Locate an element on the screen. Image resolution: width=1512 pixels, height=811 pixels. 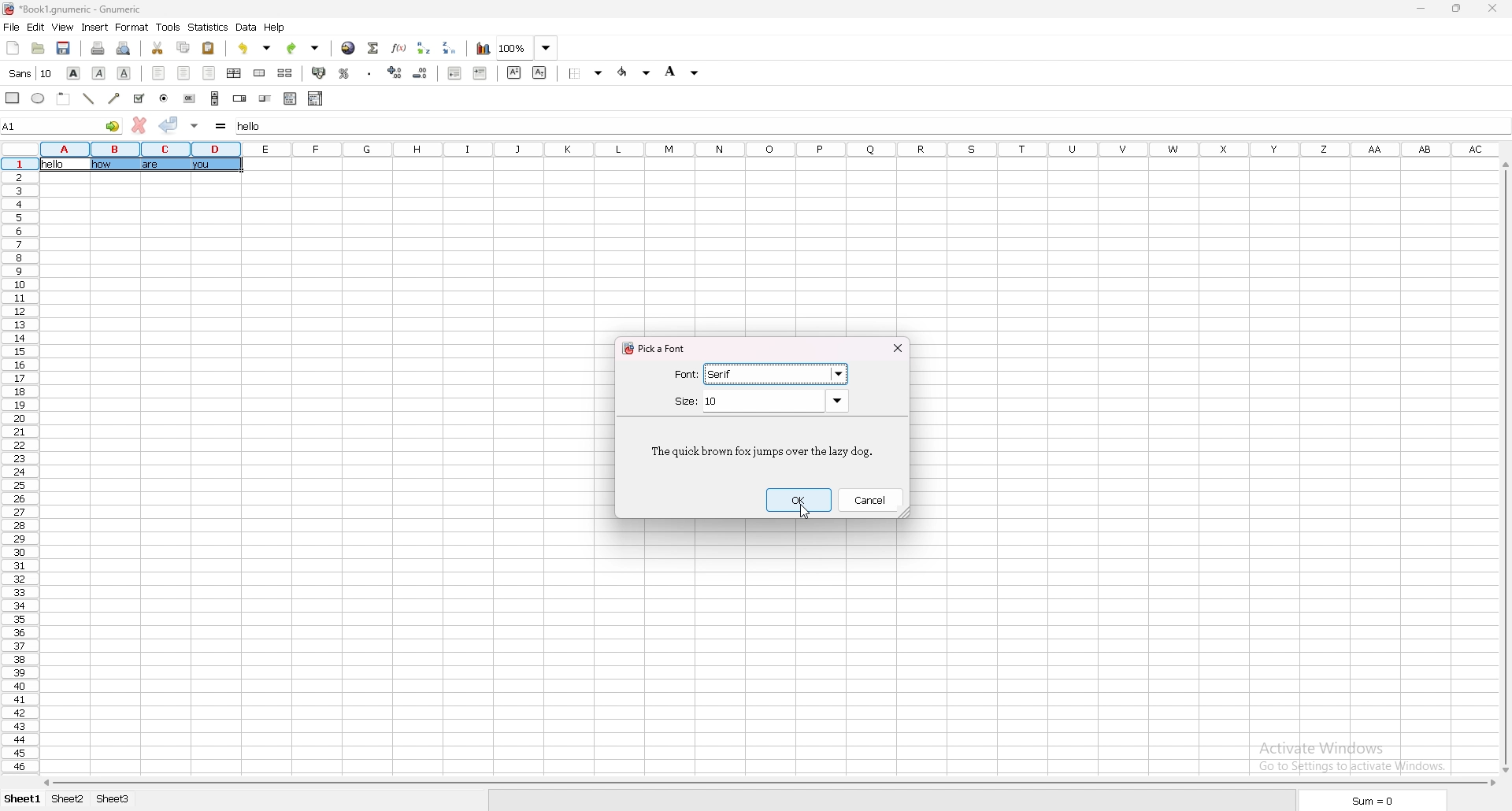
print preview is located at coordinates (124, 47).